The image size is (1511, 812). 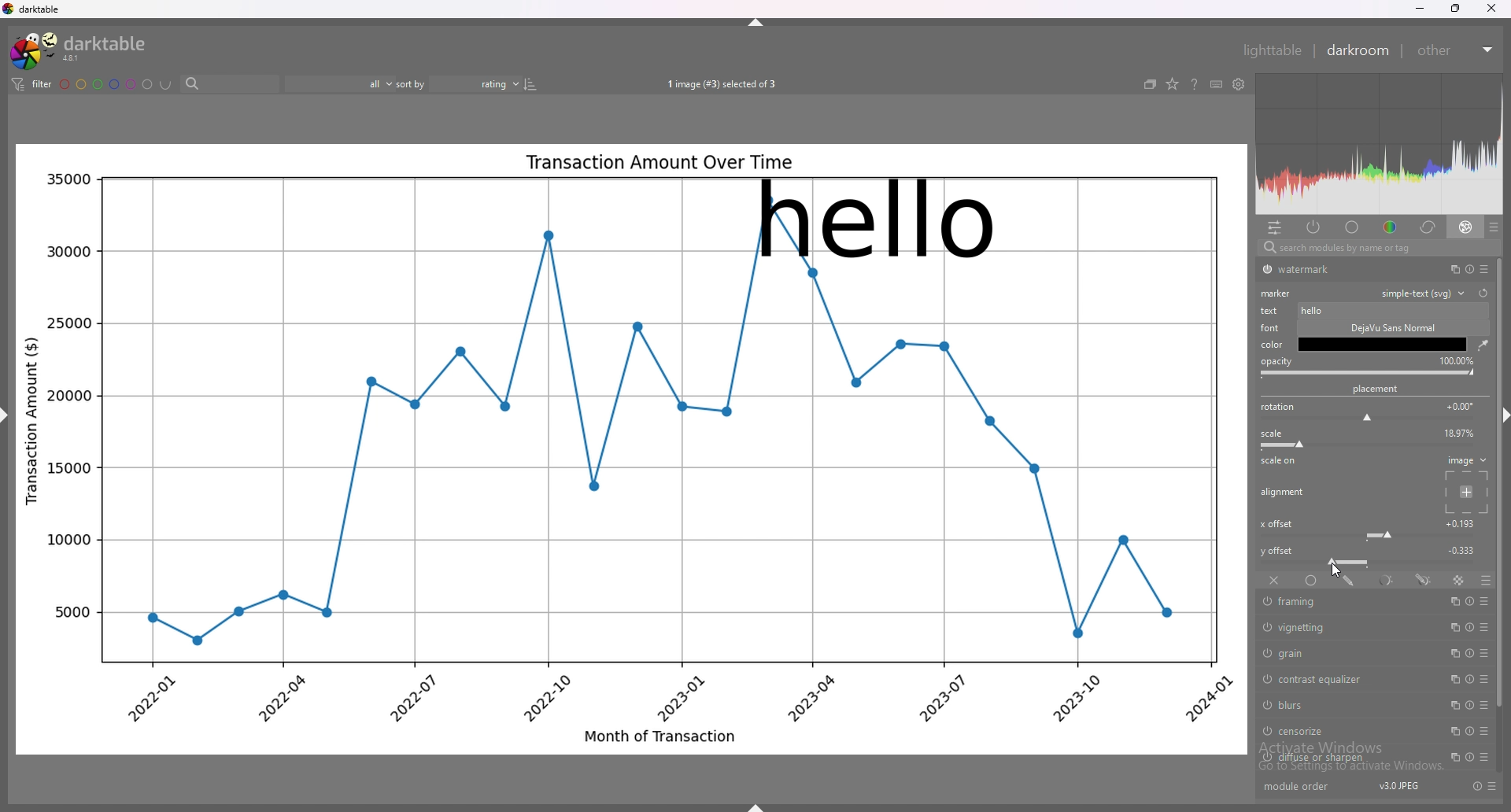 I want to click on graph, so click(x=1121, y=203).